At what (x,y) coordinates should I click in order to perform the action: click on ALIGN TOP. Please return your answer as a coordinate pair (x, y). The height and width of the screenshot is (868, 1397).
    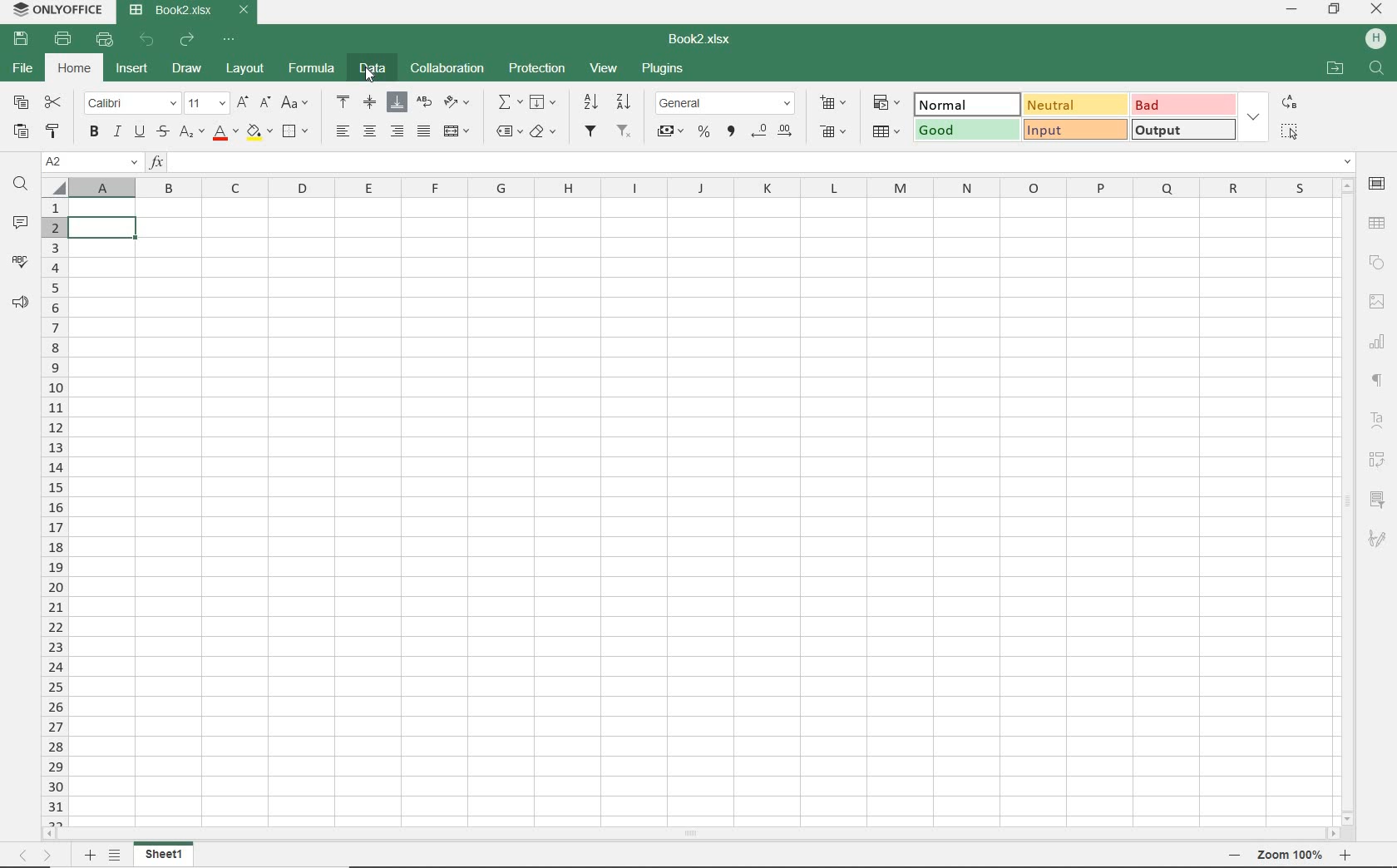
    Looking at the image, I should click on (343, 101).